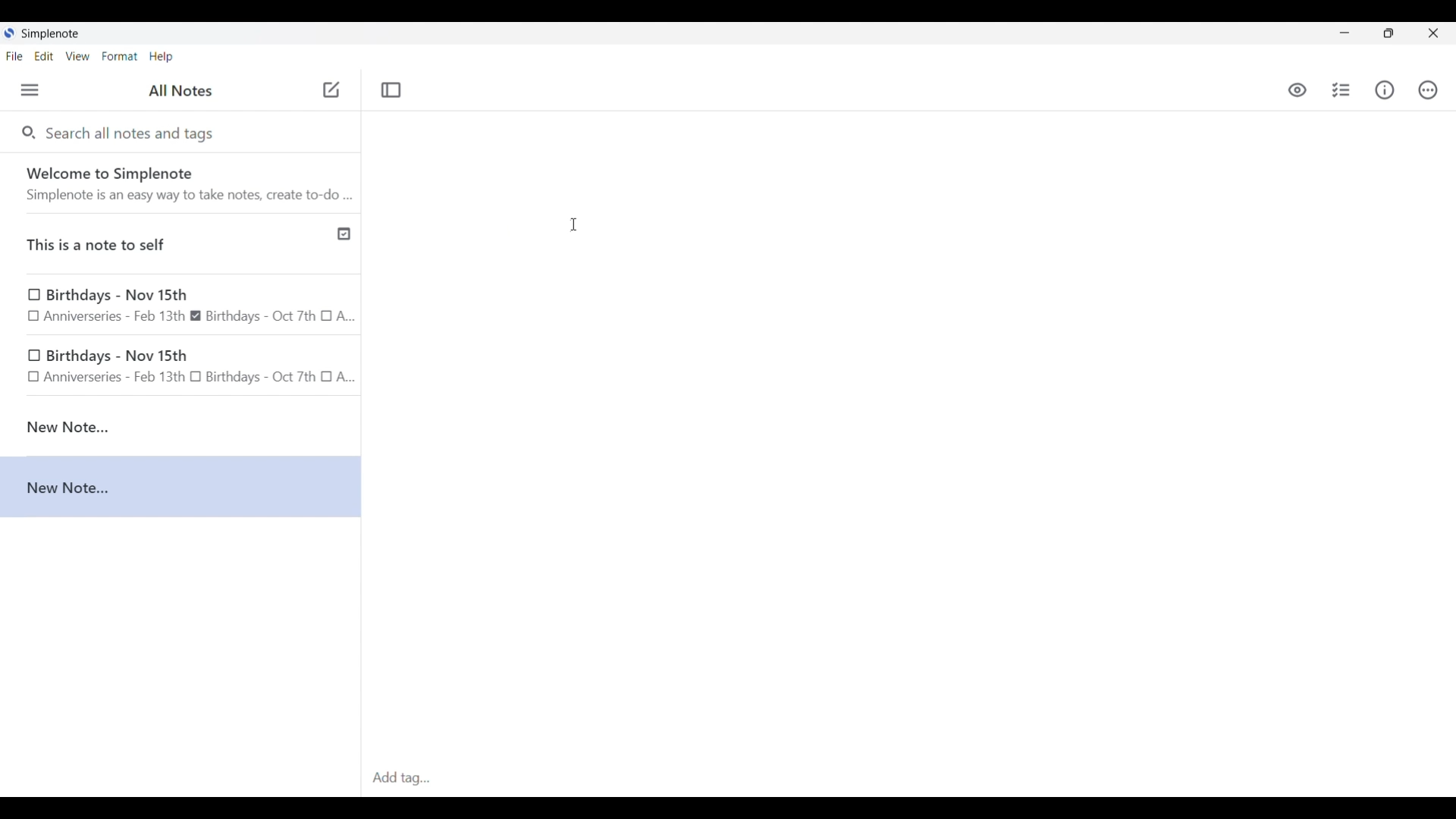  Describe the element at coordinates (1433, 33) in the screenshot. I see `Close interface` at that location.